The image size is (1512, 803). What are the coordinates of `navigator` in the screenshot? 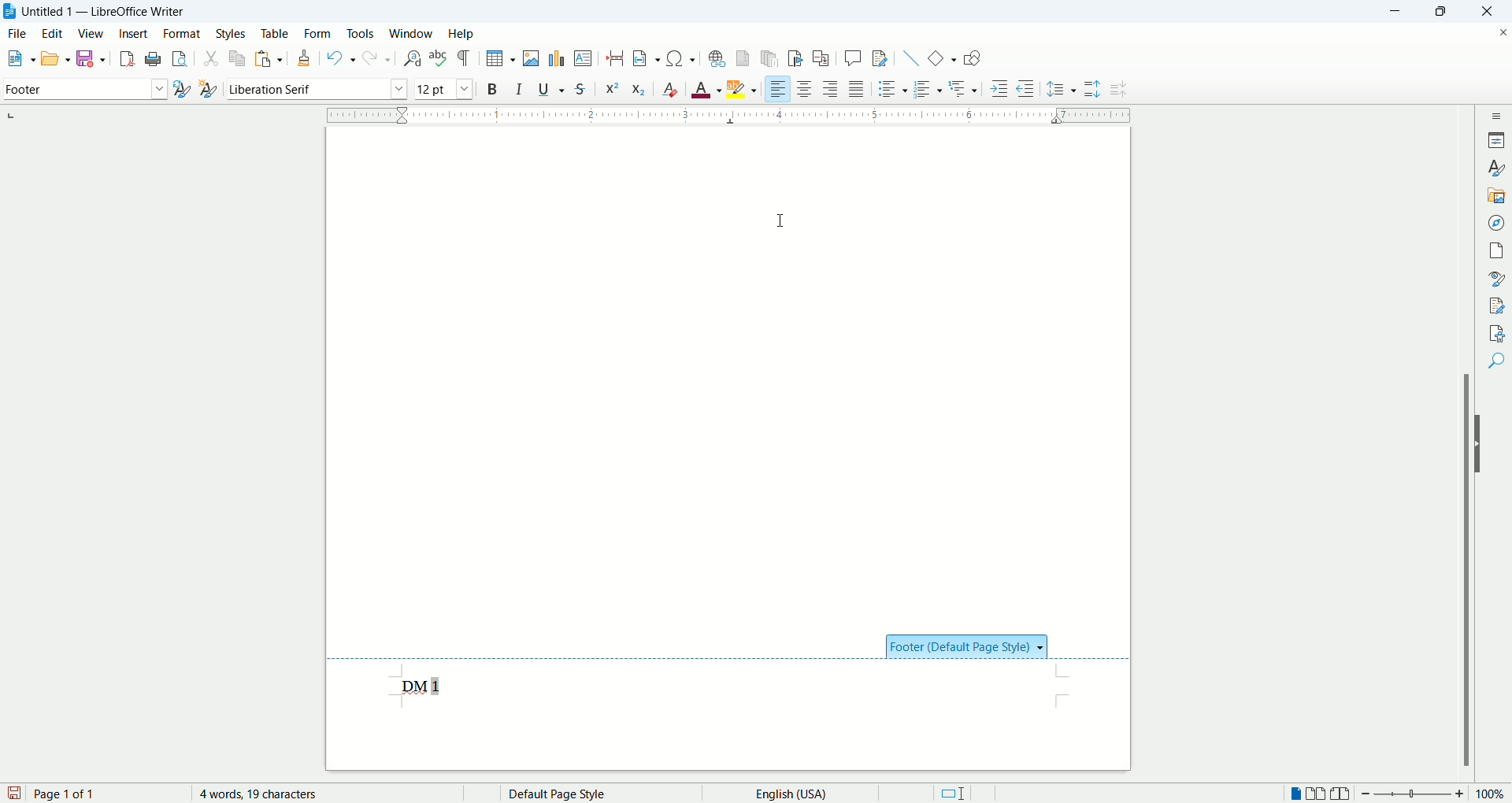 It's located at (1499, 221).